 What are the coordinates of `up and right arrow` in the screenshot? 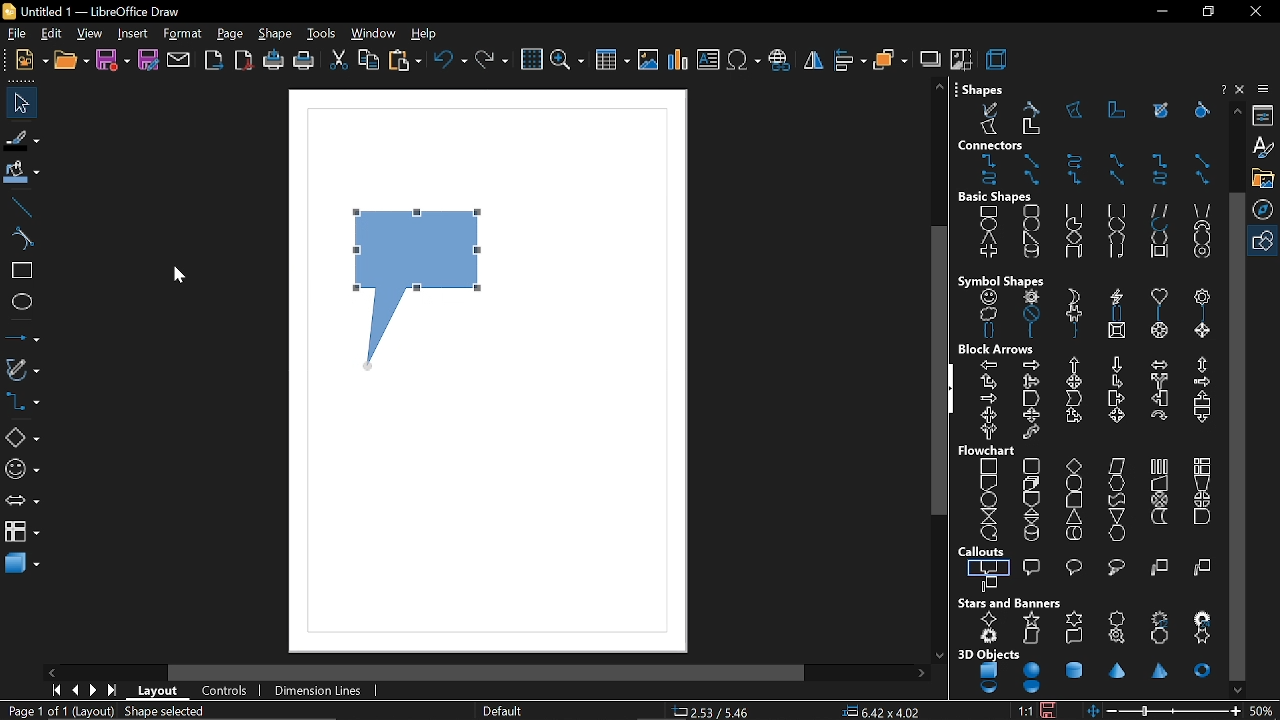 It's located at (989, 381).